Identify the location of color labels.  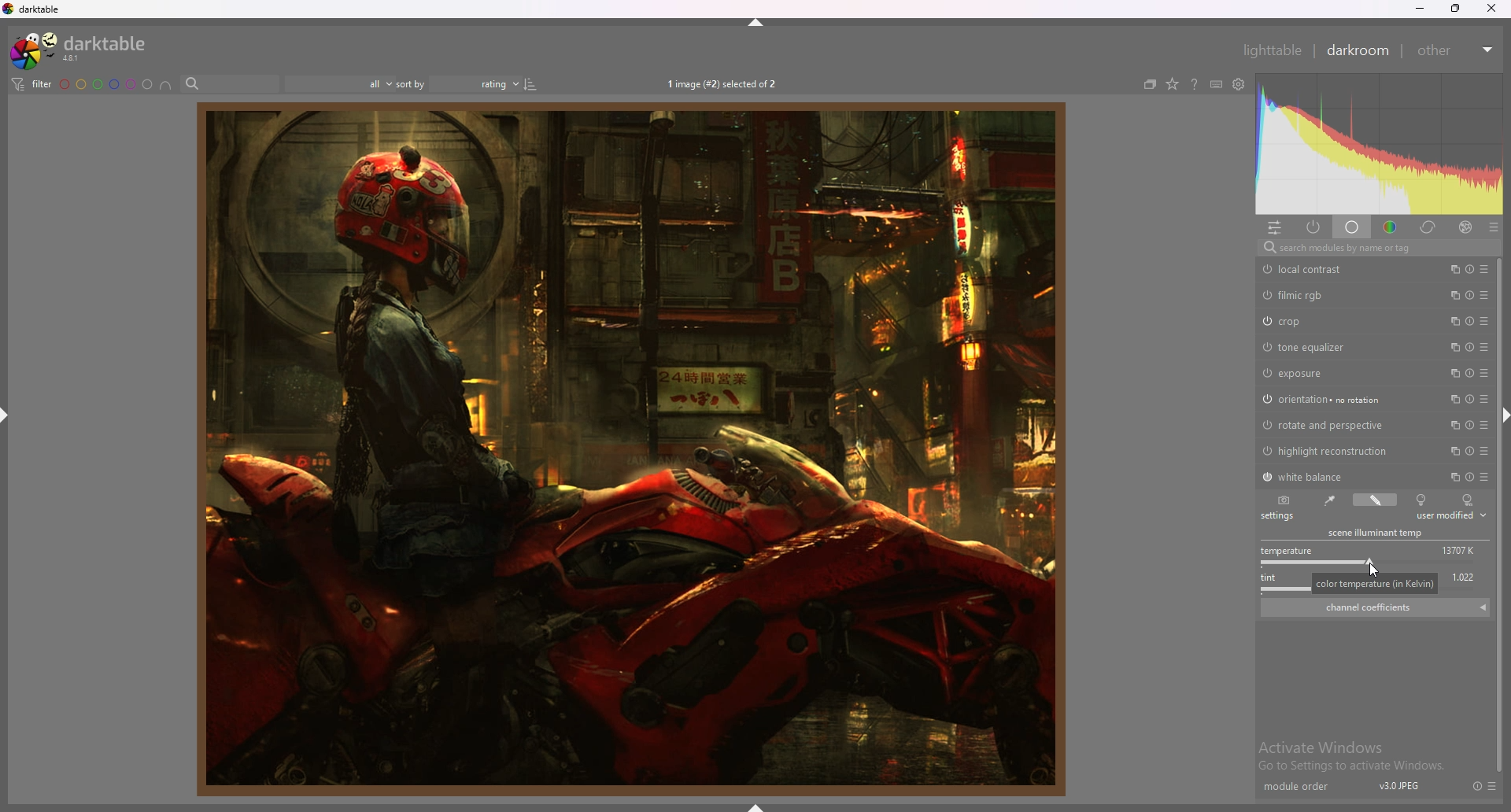
(105, 84).